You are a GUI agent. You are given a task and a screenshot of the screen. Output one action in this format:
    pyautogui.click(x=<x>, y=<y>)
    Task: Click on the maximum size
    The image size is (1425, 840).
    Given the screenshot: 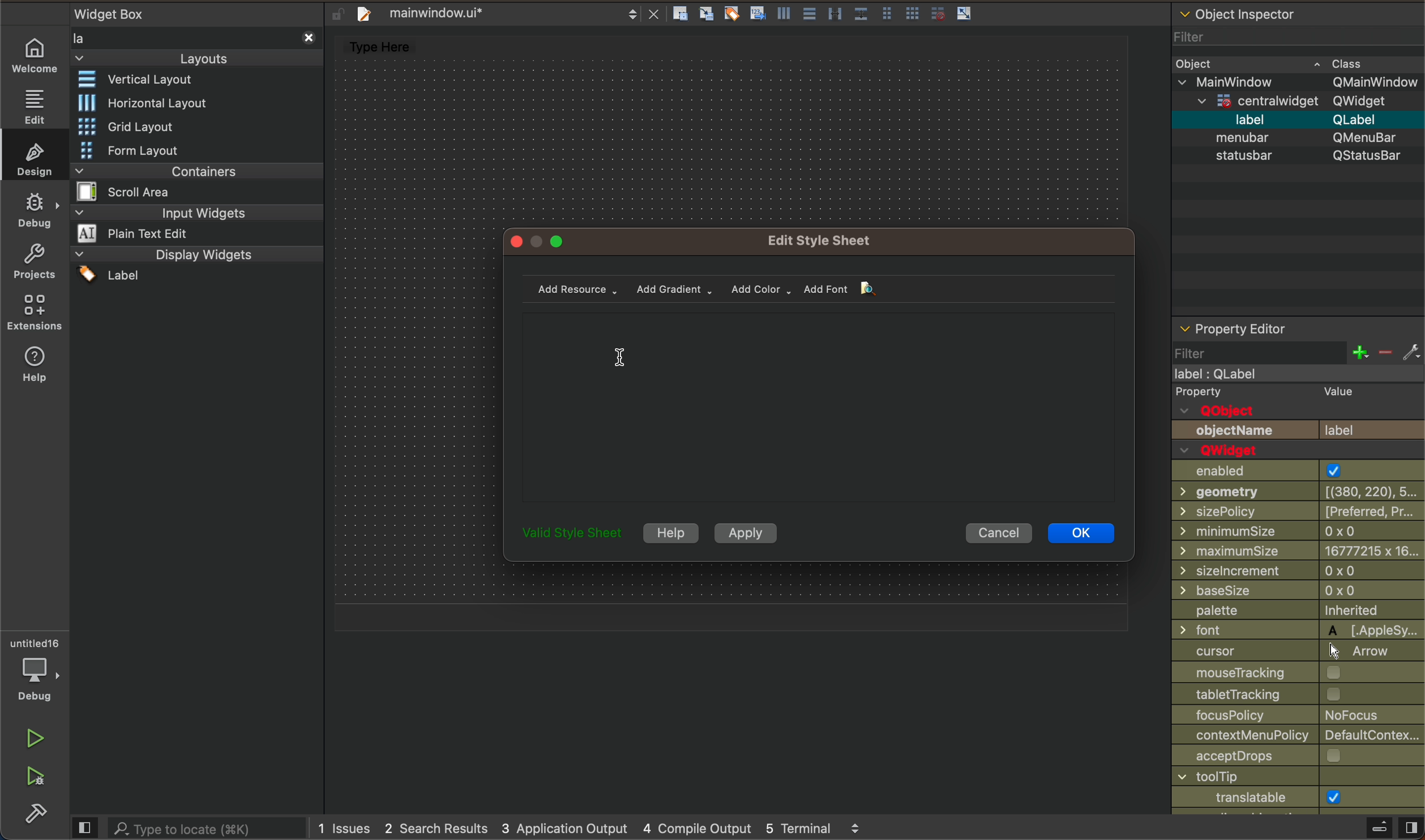 What is the action you would take?
    pyautogui.click(x=1297, y=552)
    